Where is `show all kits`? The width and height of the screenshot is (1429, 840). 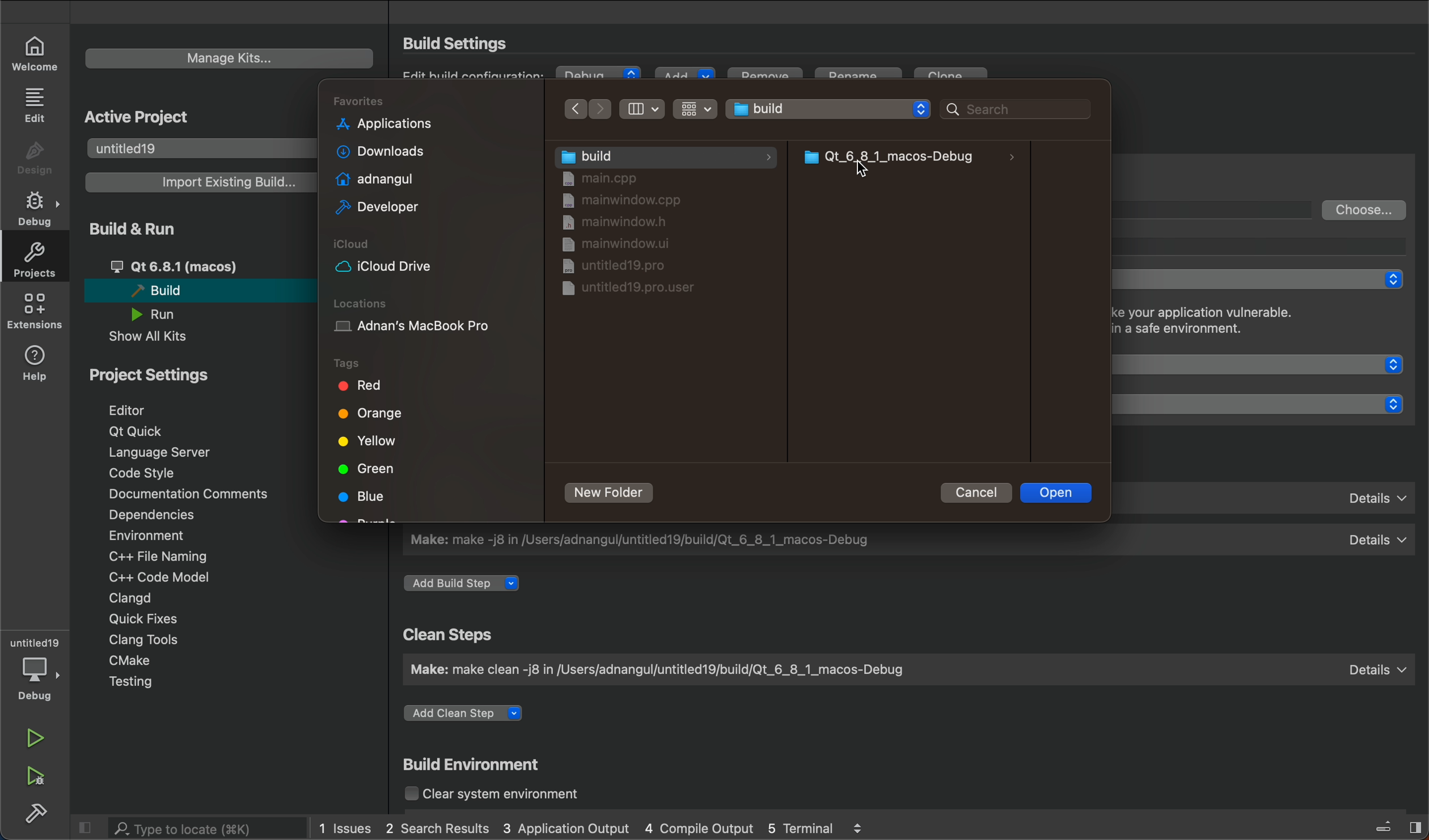 show all kits is located at coordinates (162, 337).